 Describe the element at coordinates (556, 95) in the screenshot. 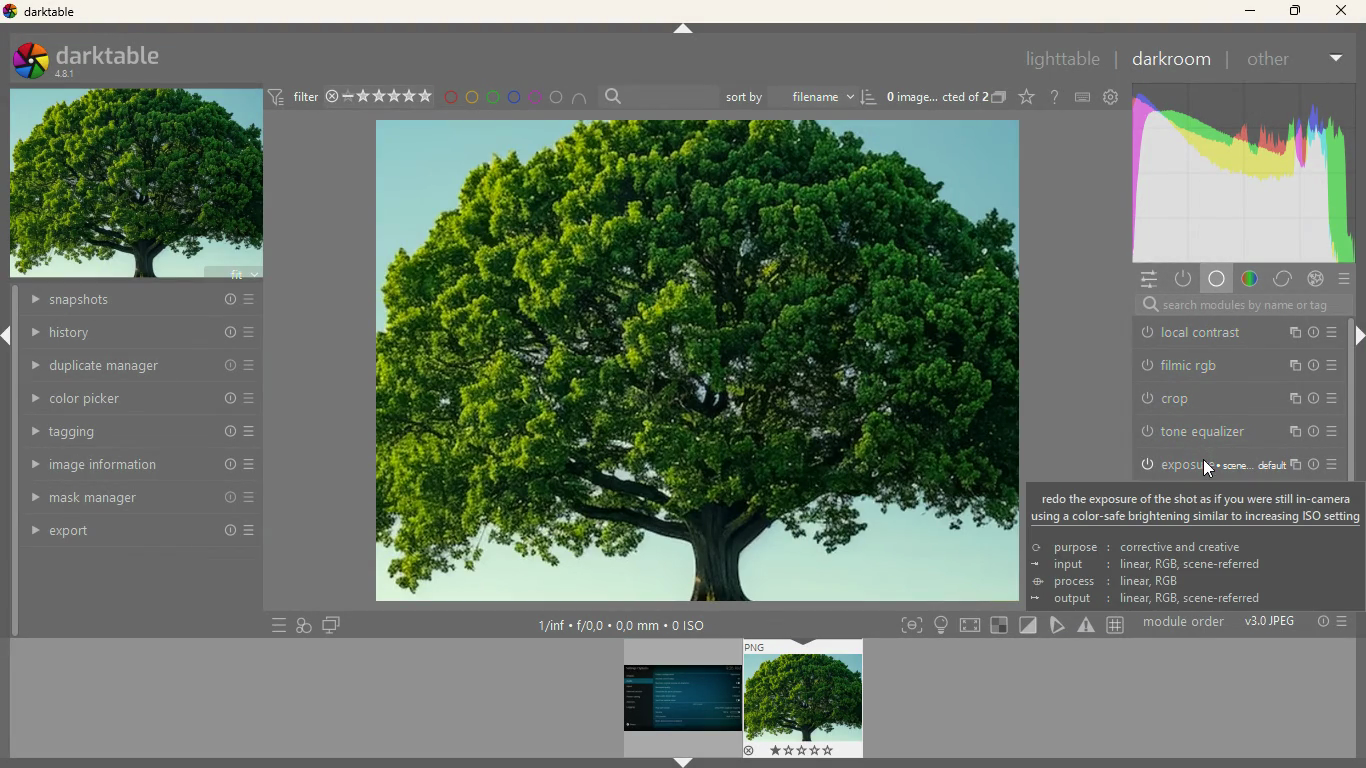

I see `circle` at that location.